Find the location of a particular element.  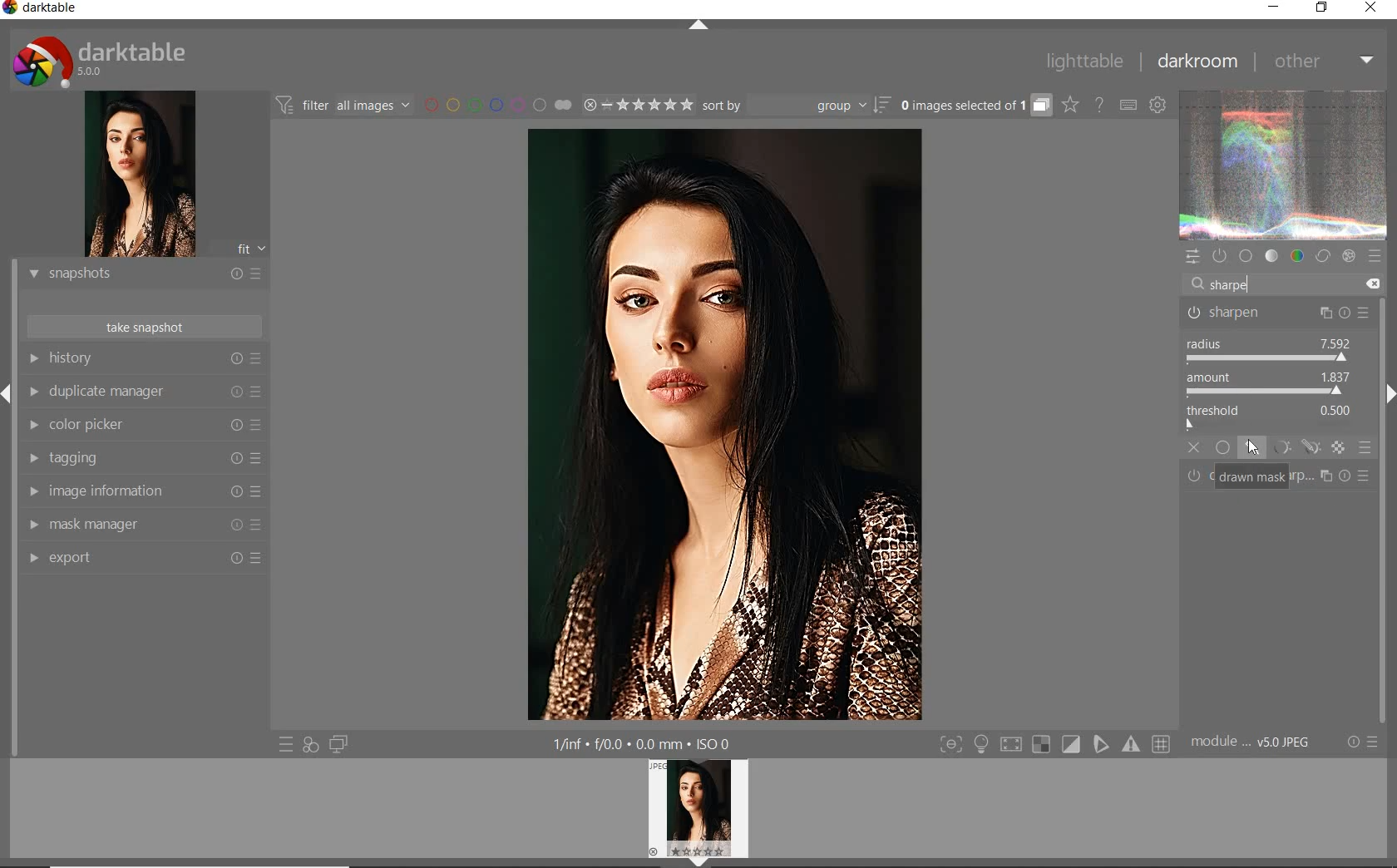

toggle modes is located at coordinates (951, 745).